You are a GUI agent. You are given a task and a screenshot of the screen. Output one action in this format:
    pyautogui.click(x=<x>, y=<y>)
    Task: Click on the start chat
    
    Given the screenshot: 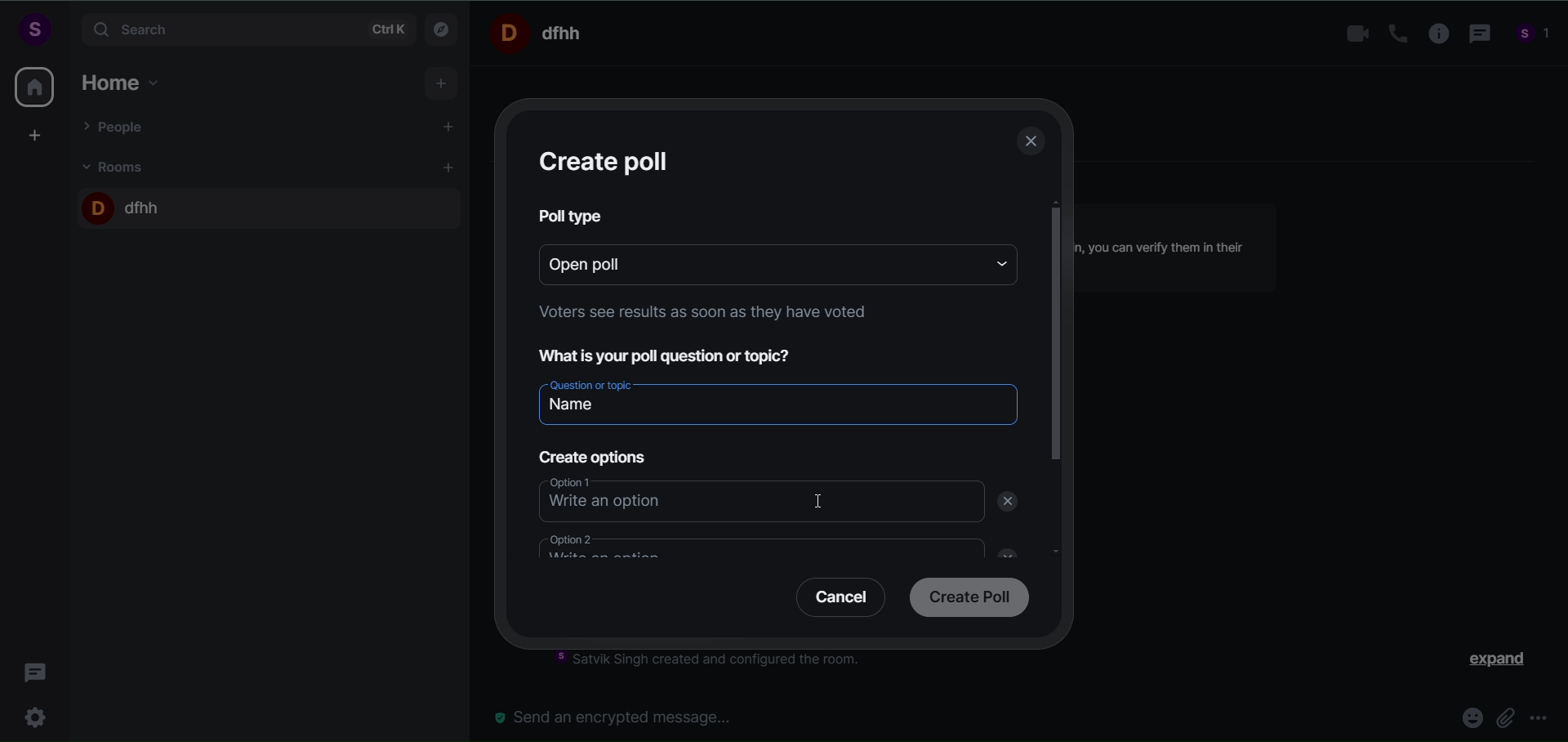 What is the action you would take?
    pyautogui.click(x=450, y=128)
    